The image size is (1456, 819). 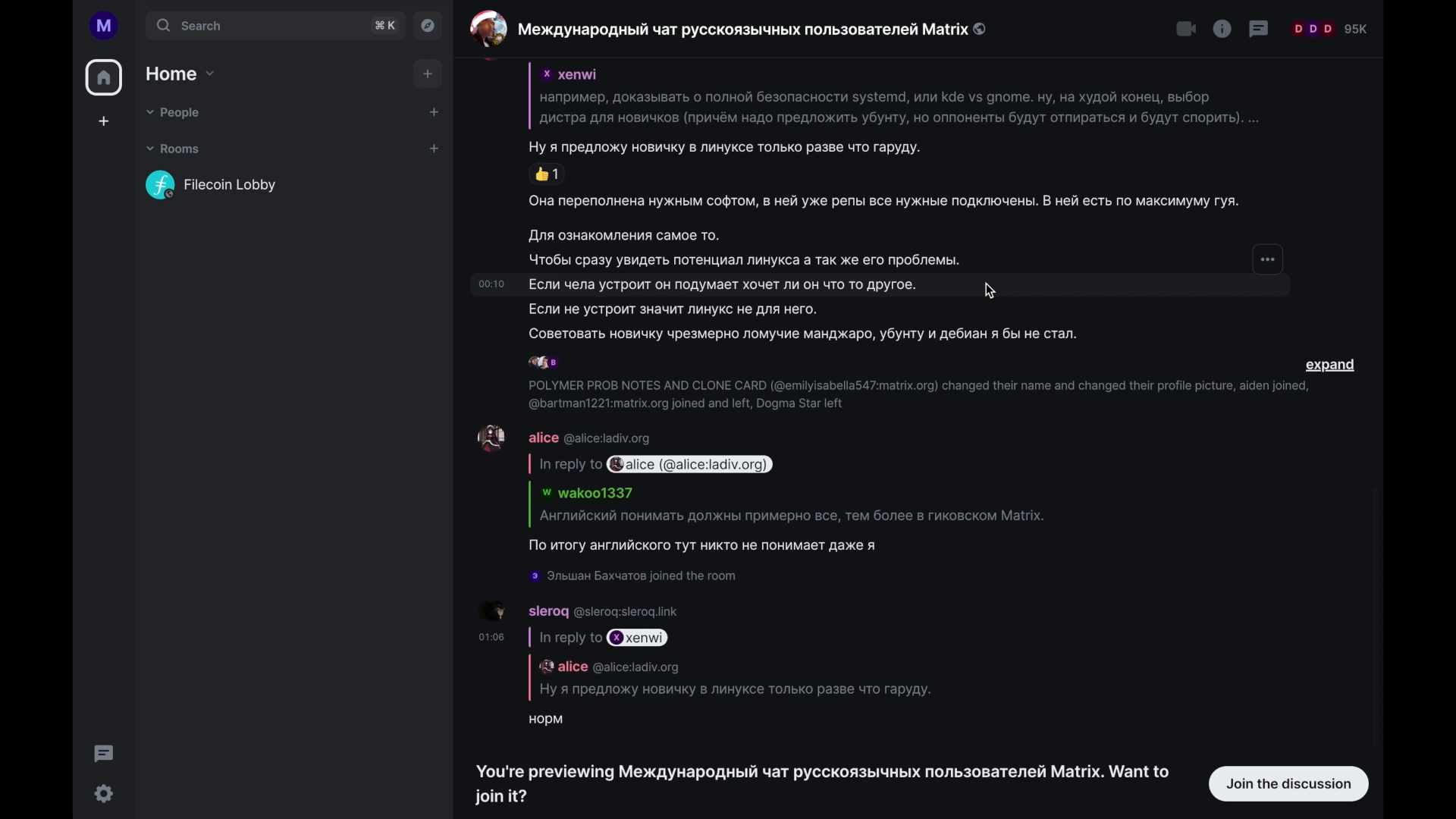 I want to click on search, so click(x=254, y=27).